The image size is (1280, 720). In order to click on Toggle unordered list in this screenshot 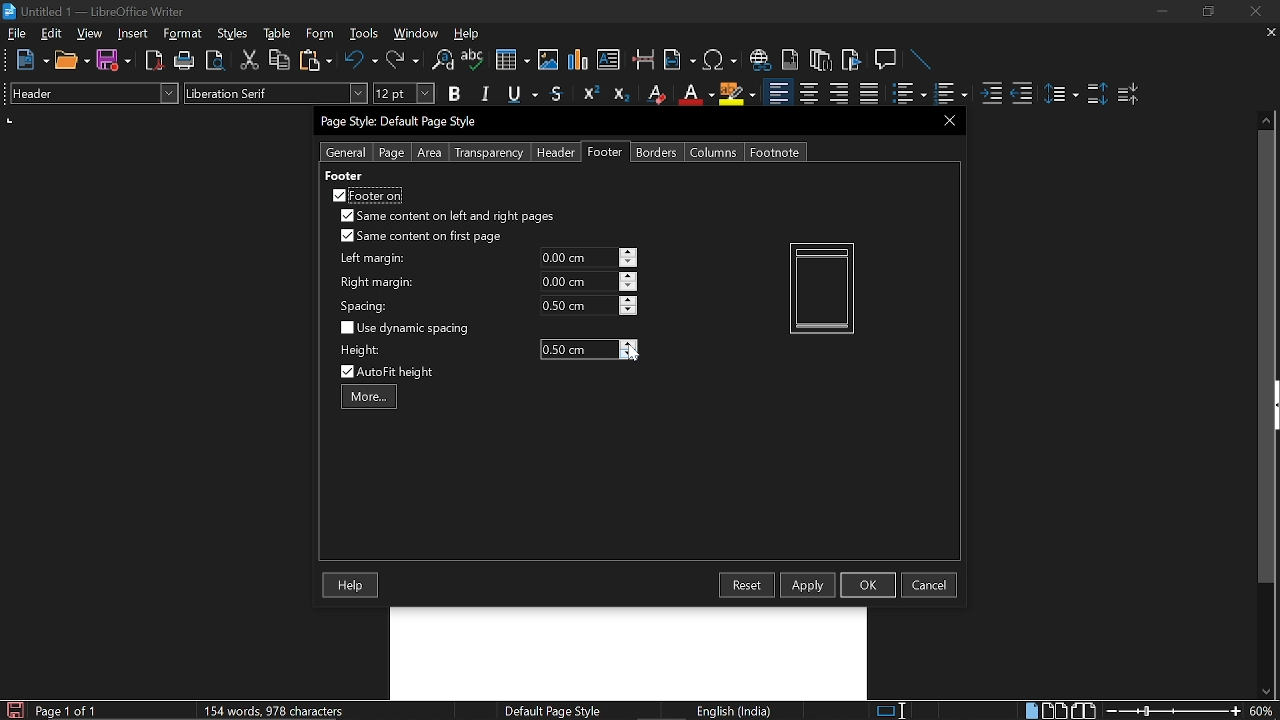, I will do `click(949, 94)`.